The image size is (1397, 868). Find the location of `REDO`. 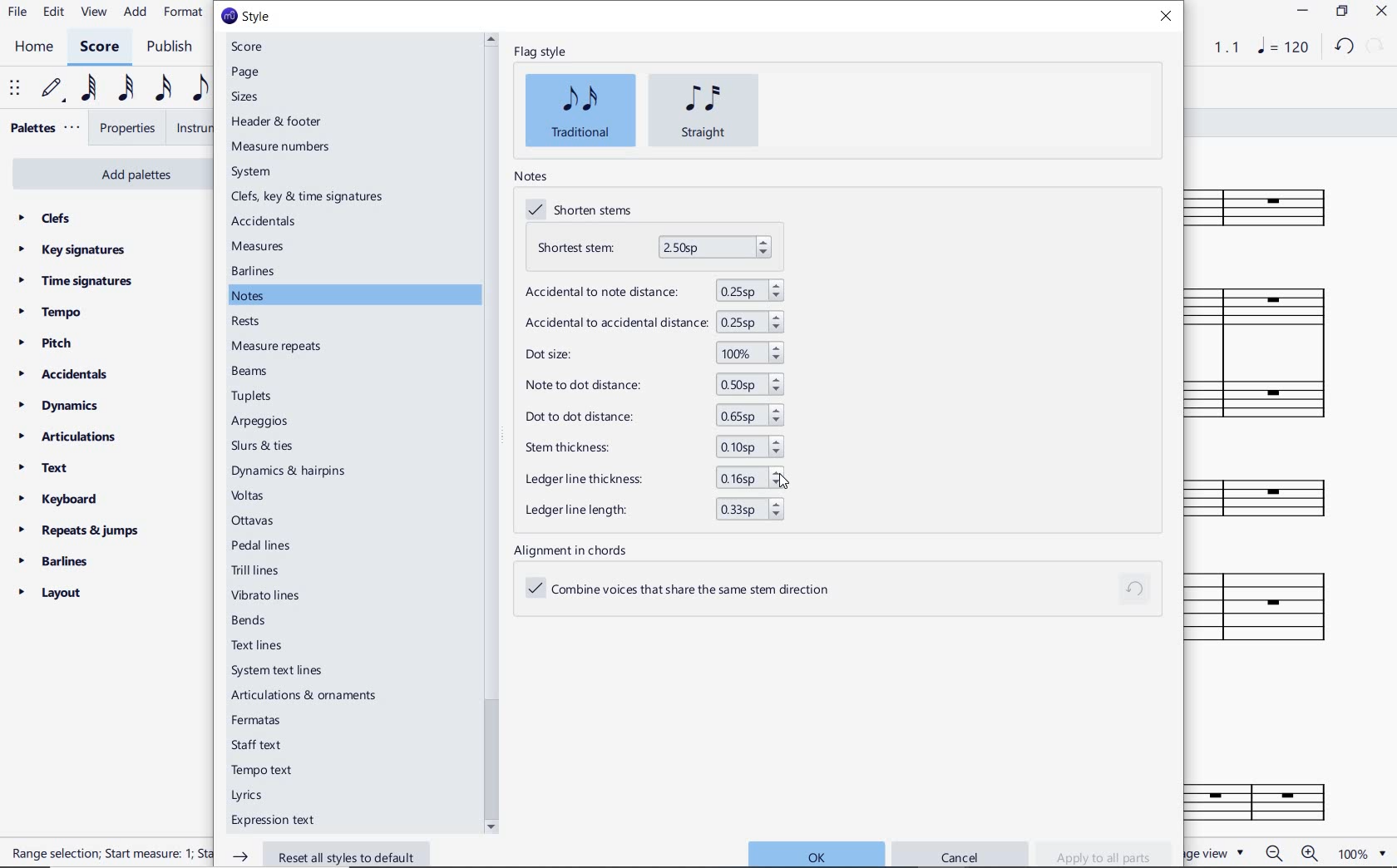

REDO is located at coordinates (1376, 47).